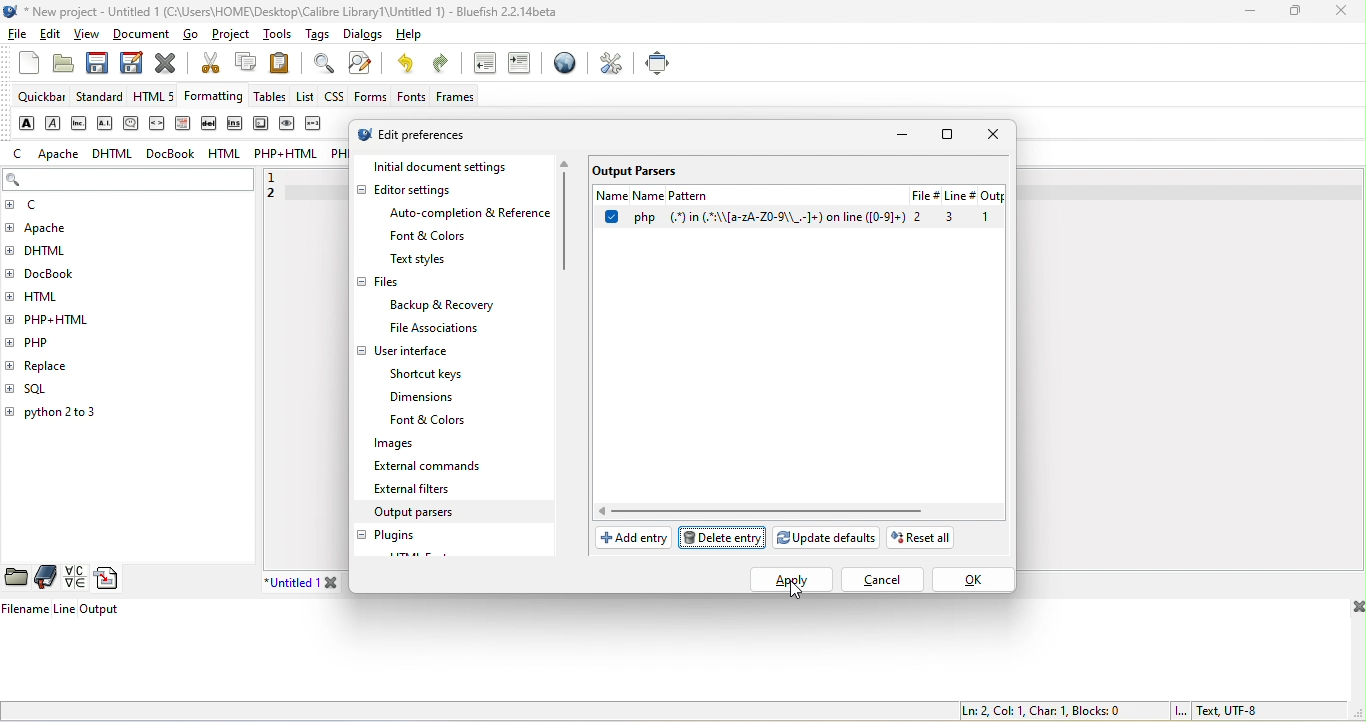 Image resolution: width=1366 pixels, height=722 pixels. I want to click on help, so click(405, 37).